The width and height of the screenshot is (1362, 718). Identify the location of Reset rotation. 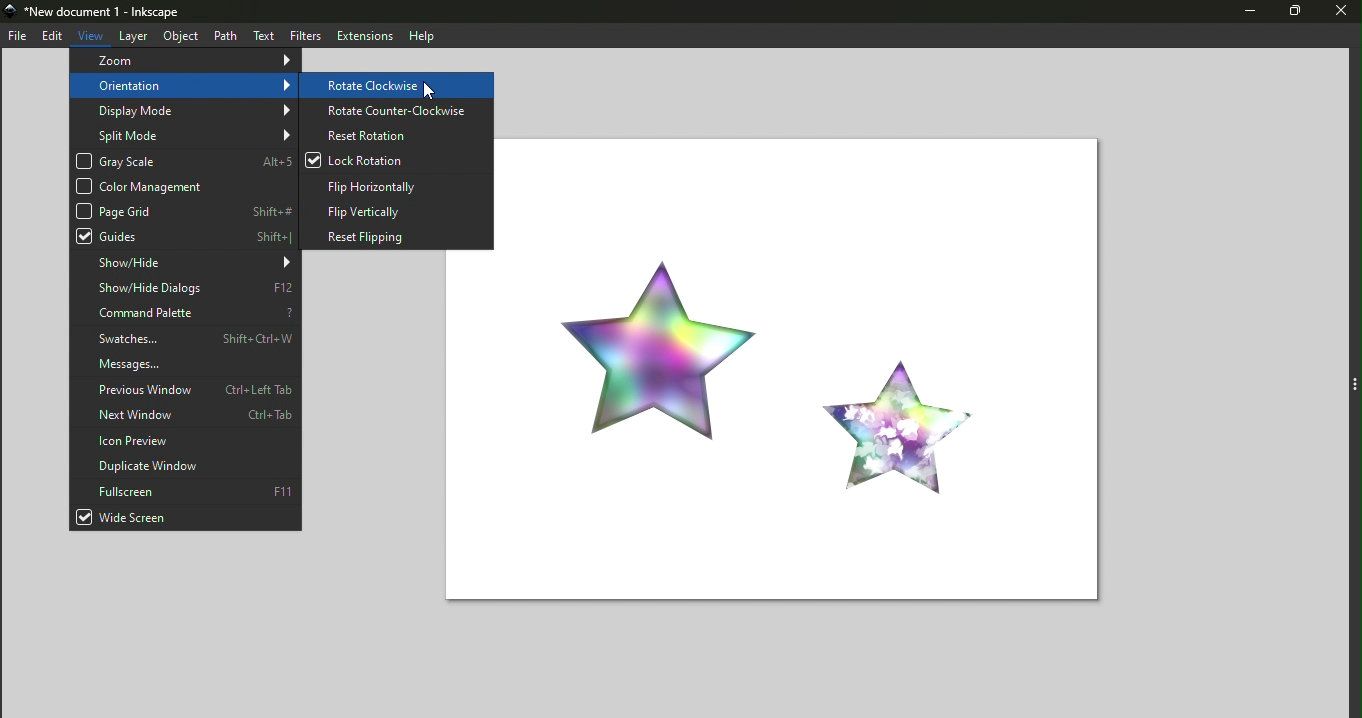
(397, 135).